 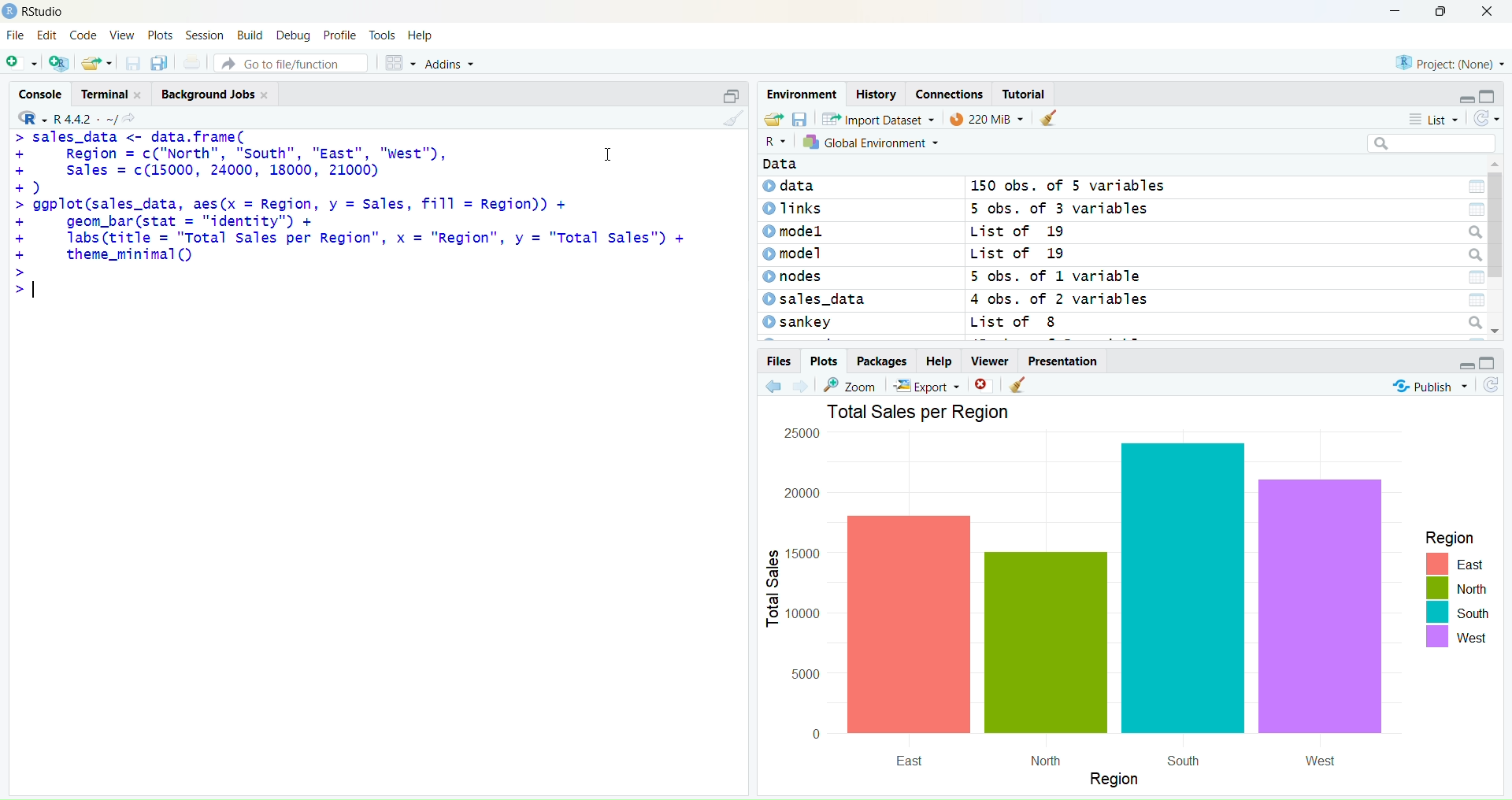 What do you see at coordinates (1491, 363) in the screenshot?
I see `maximise` at bounding box center [1491, 363].